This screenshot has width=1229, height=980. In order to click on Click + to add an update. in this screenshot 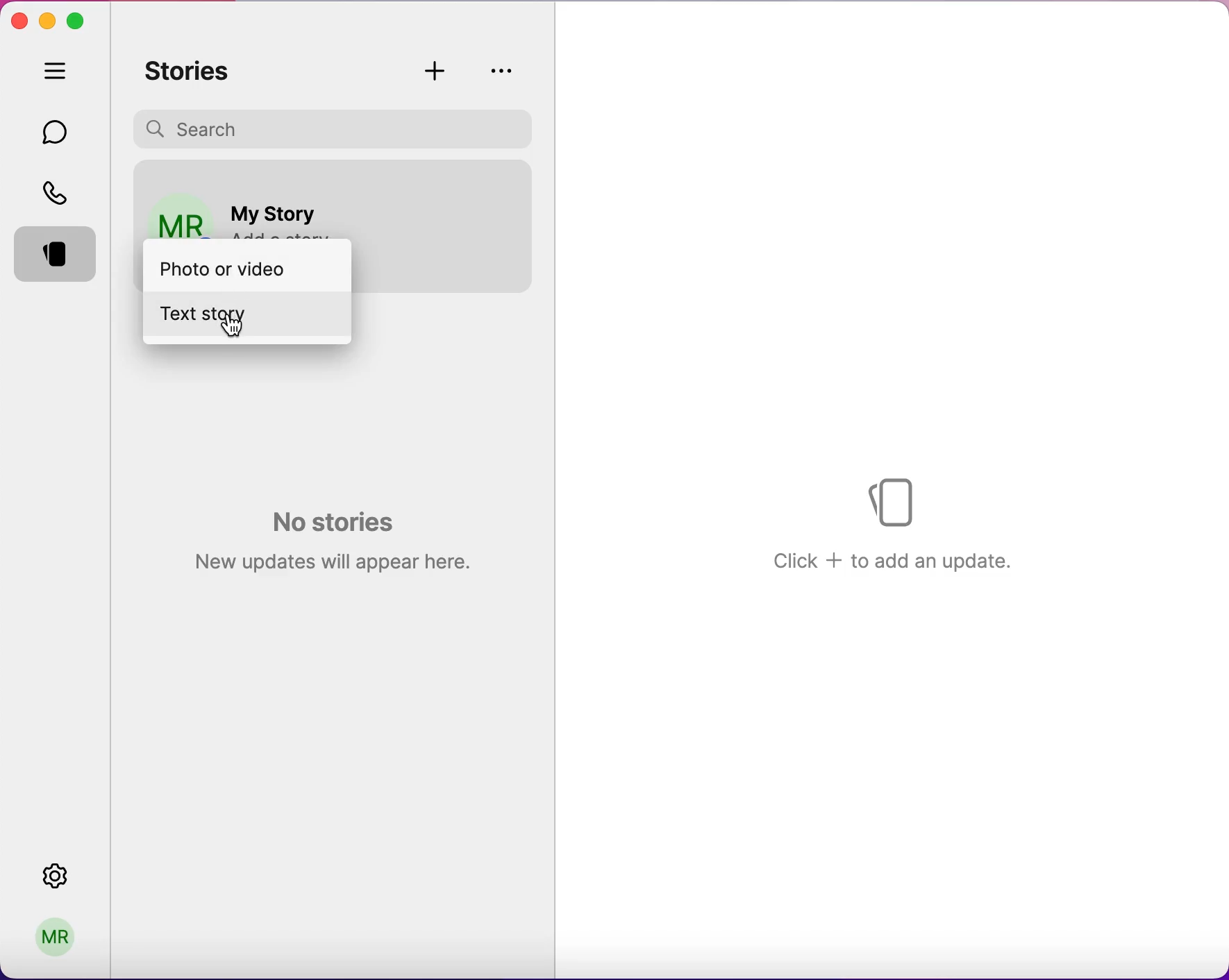, I will do `click(894, 559)`.